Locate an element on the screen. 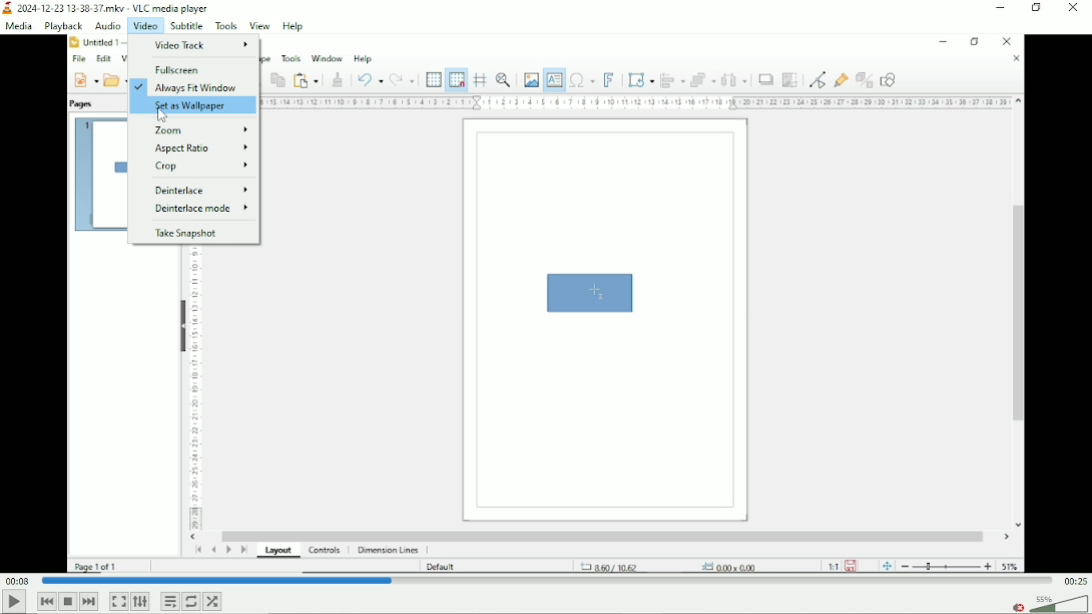 The width and height of the screenshot is (1092, 614). Toggle playlist is located at coordinates (169, 602).